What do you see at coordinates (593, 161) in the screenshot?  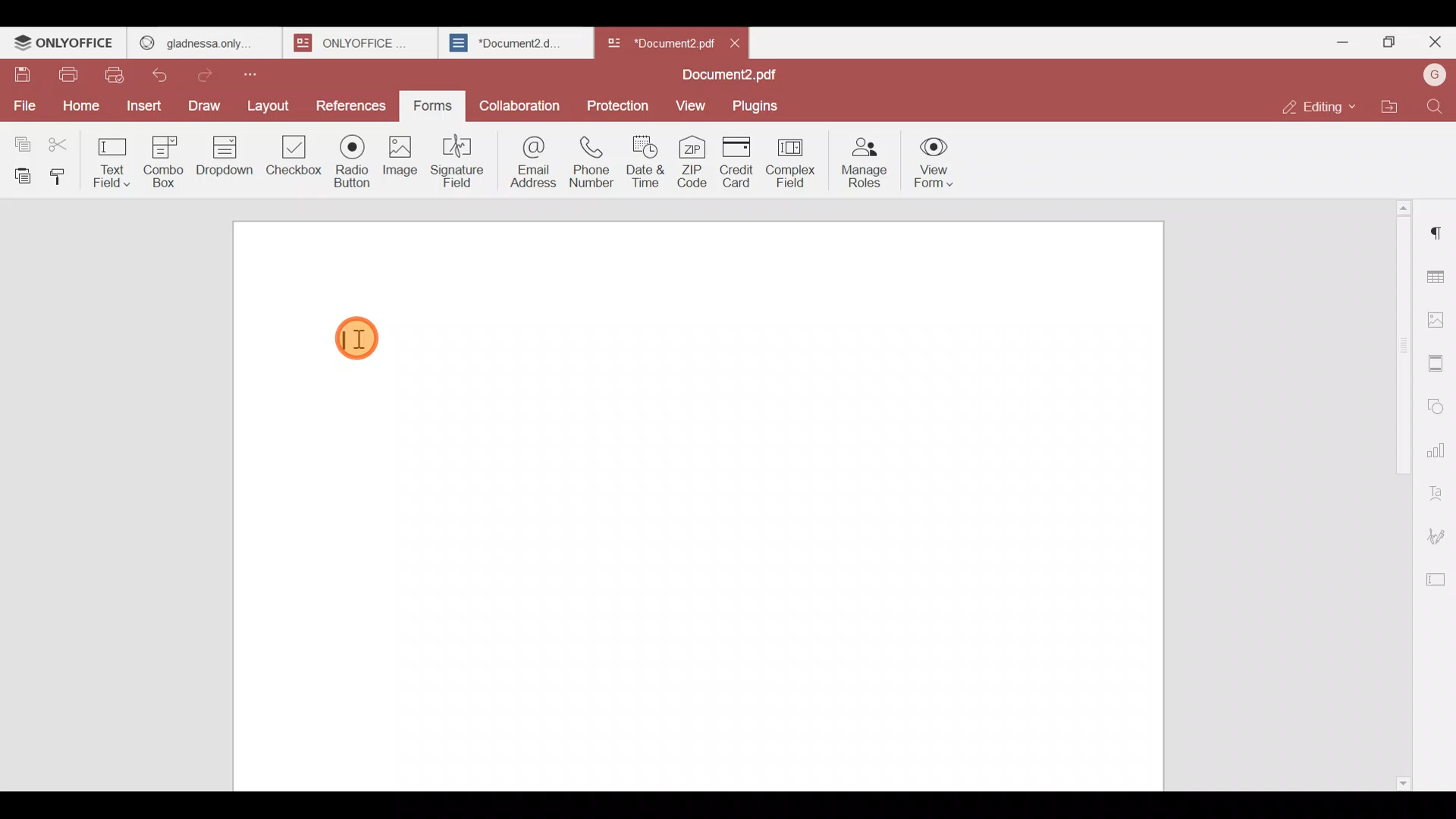 I see `Phone number` at bounding box center [593, 161].